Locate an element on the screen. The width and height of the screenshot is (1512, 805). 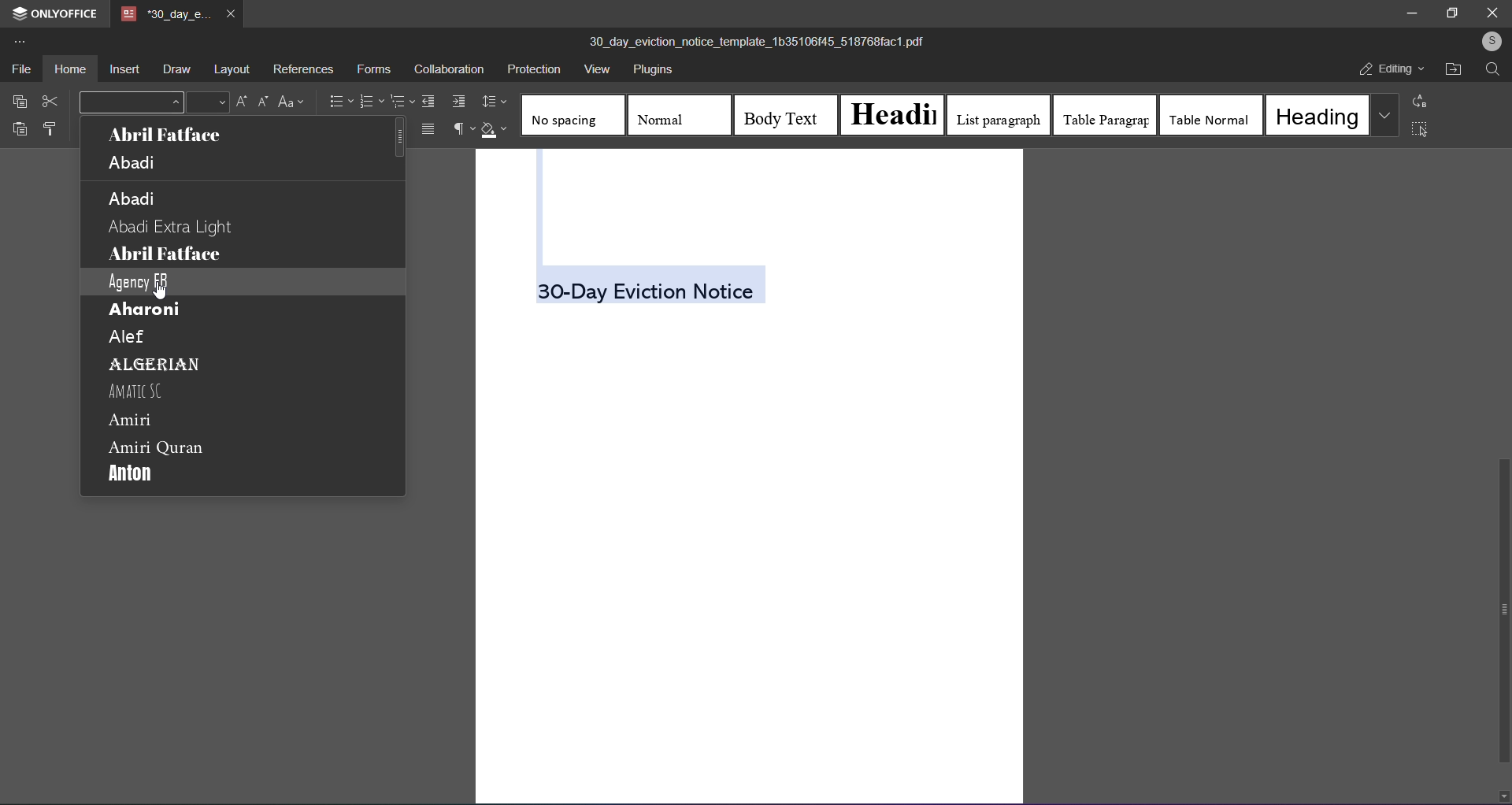
font size is located at coordinates (206, 102).